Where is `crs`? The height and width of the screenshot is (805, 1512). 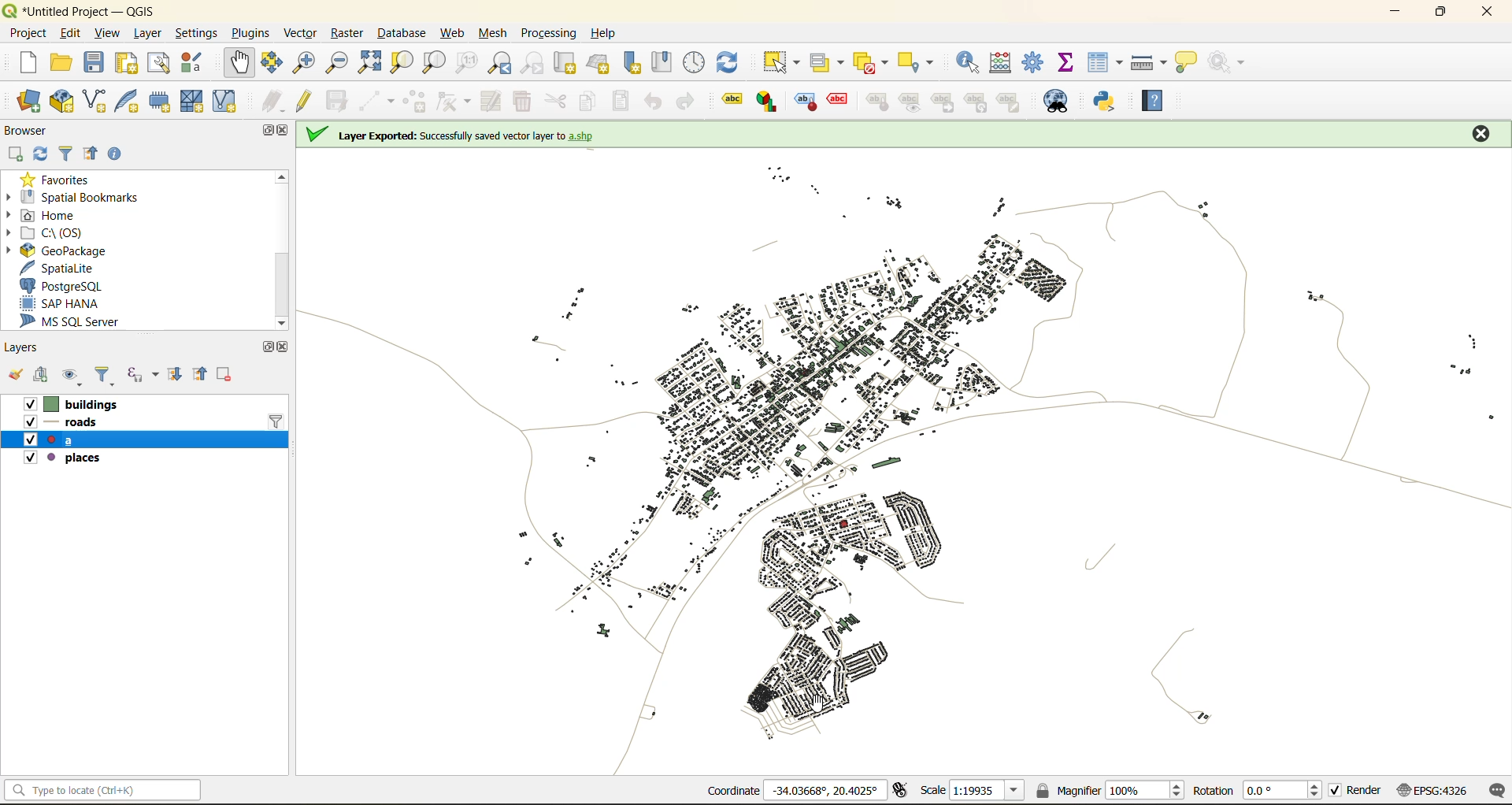 crs is located at coordinates (1432, 792).